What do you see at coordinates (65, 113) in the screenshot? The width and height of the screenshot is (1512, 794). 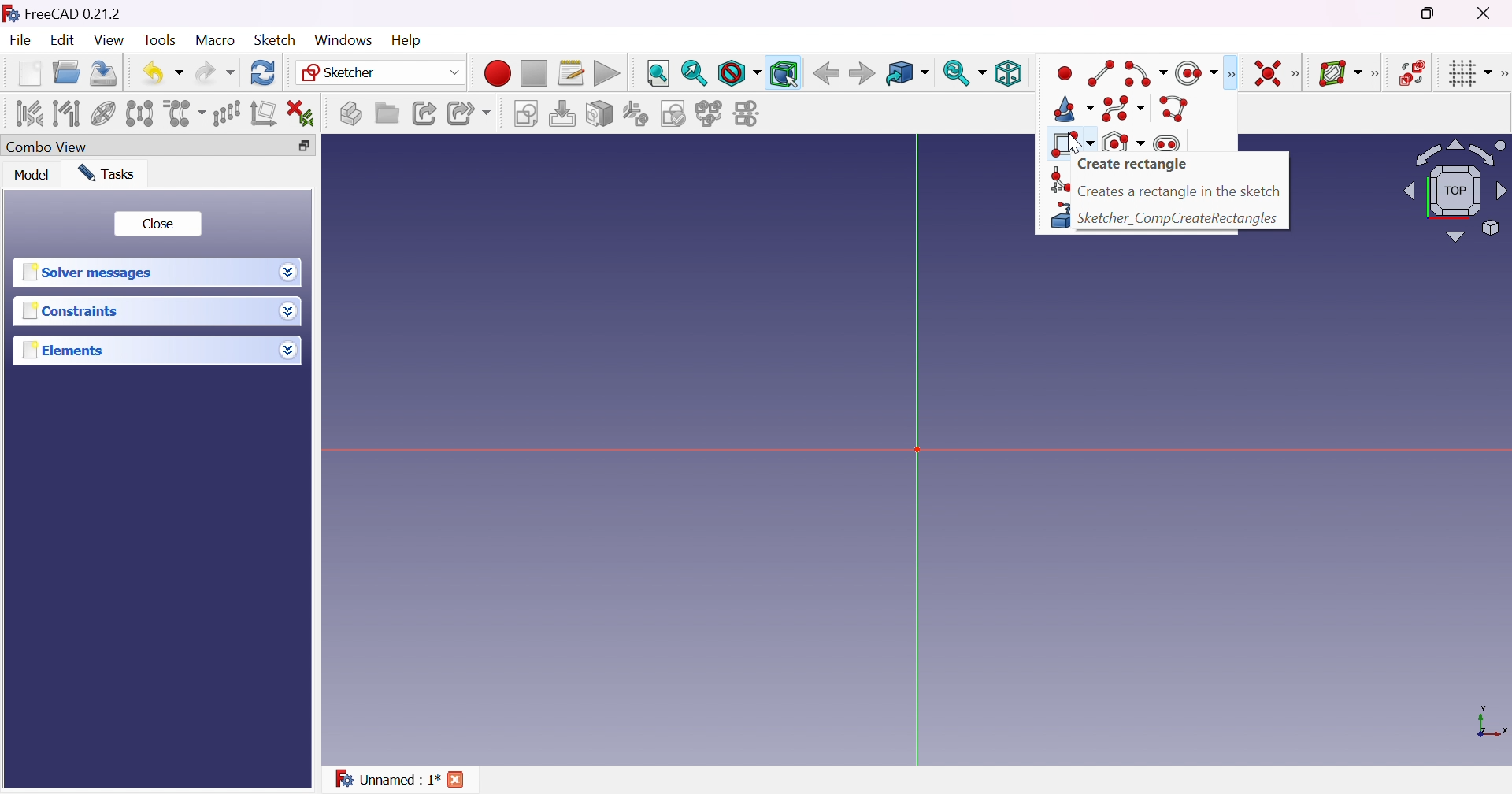 I see `Select associated geometry` at bounding box center [65, 113].